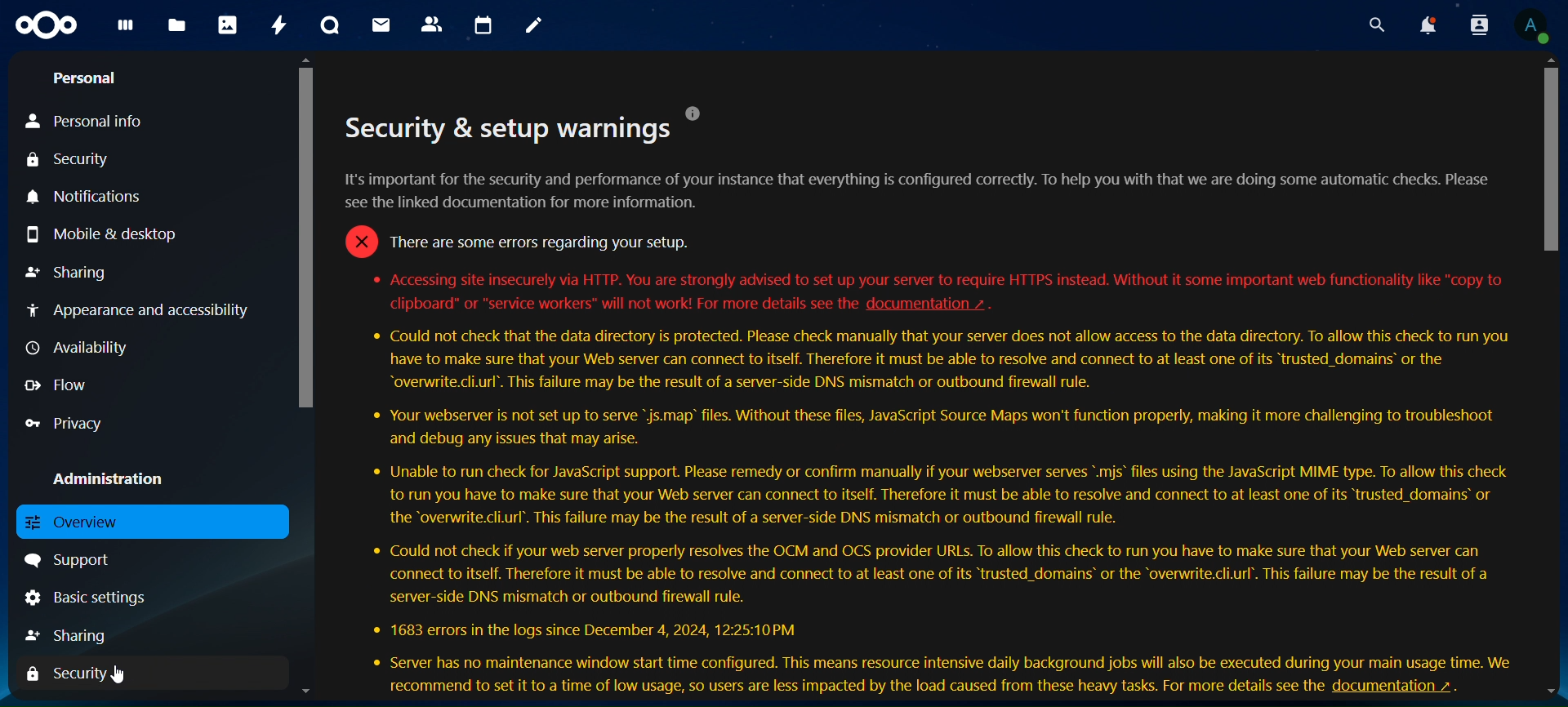 The height and width of the screenshot is (707, 1568). Describe the element at coordinates (69, 269) in the screenshot. I see `sharing` at that location.